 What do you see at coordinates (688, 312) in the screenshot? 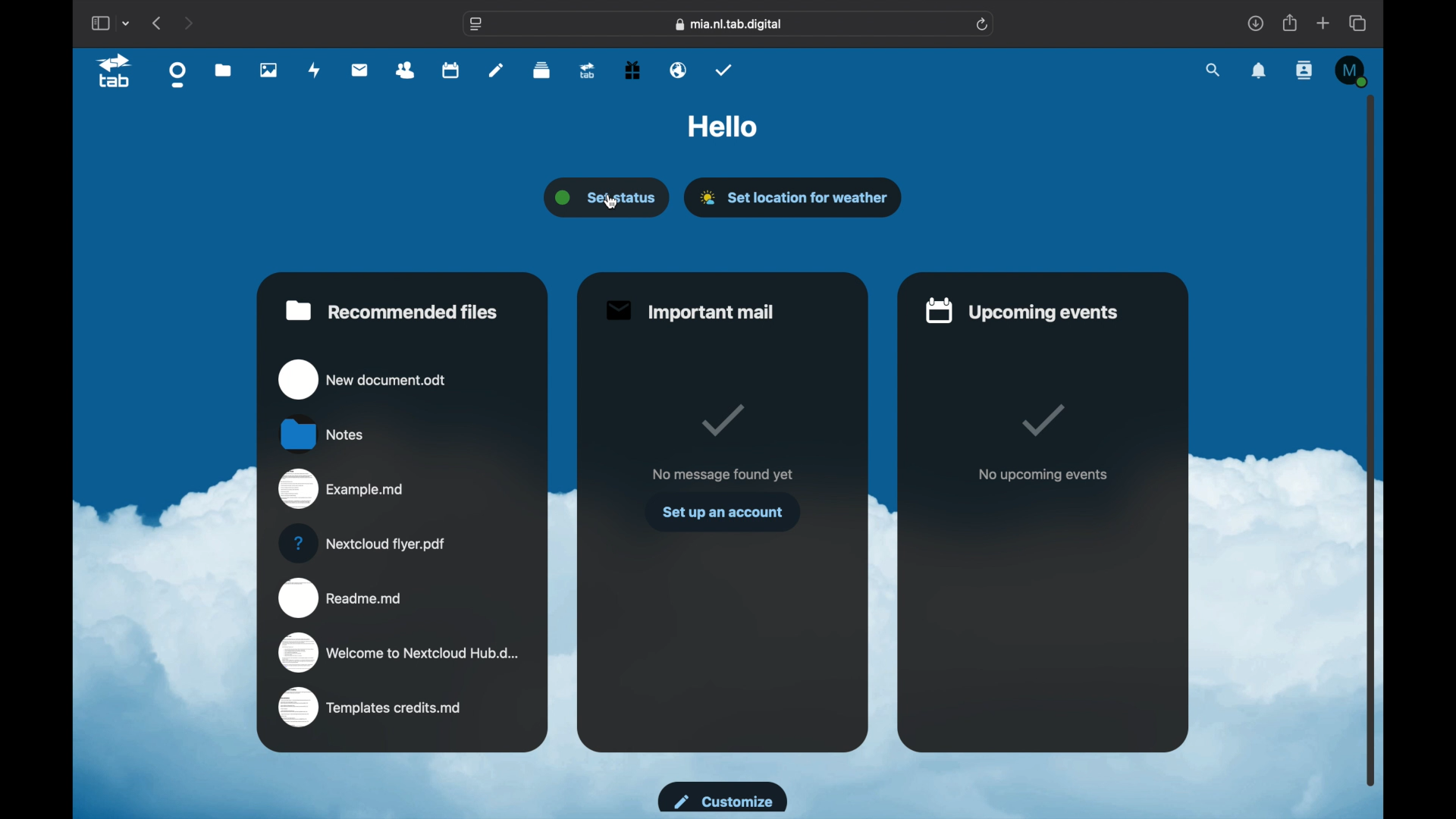
I see `important mail` at bounding box center [688, 312].